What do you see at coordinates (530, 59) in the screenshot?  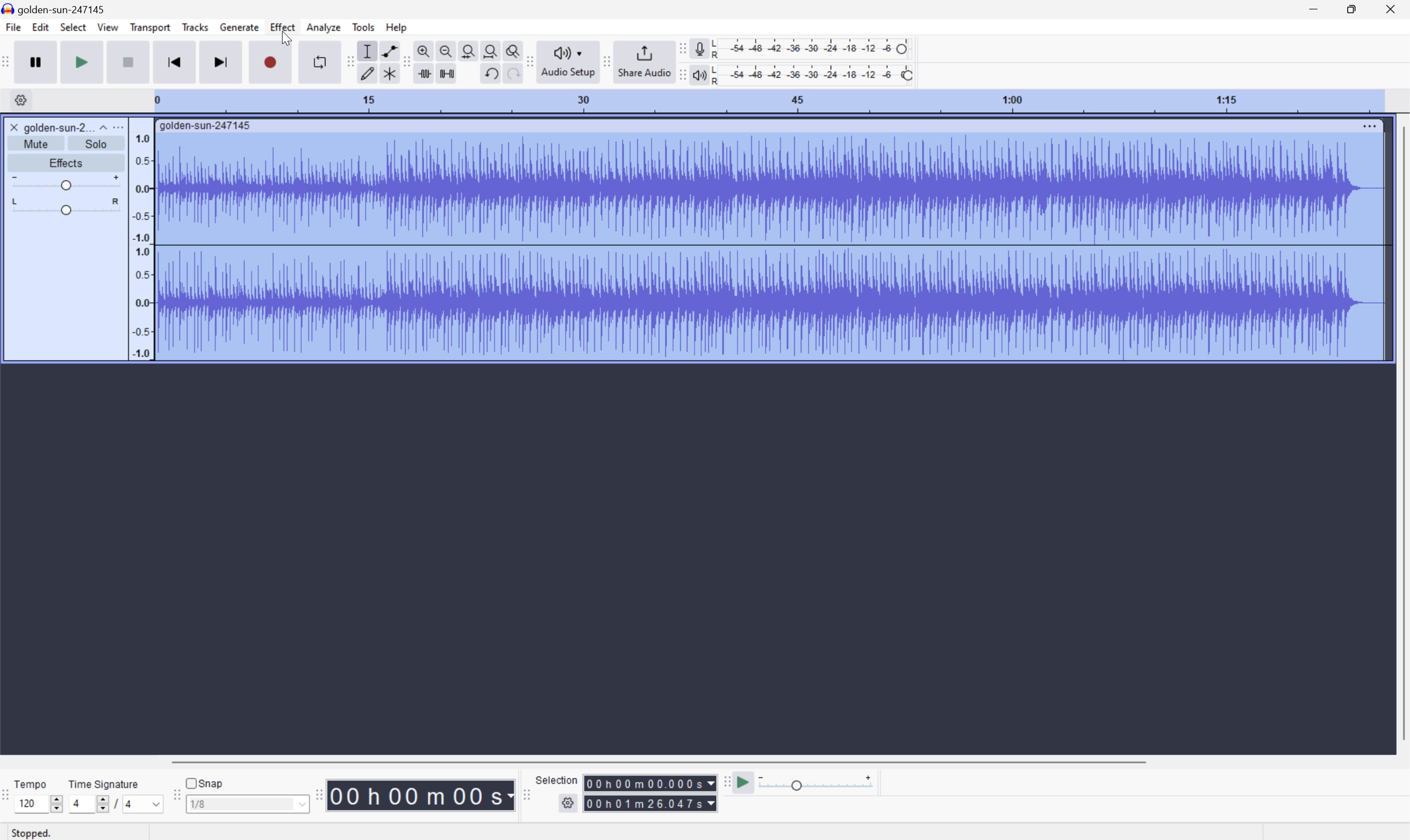 I see `Audacity audio share toolbar` at bounding box center [530, 59].